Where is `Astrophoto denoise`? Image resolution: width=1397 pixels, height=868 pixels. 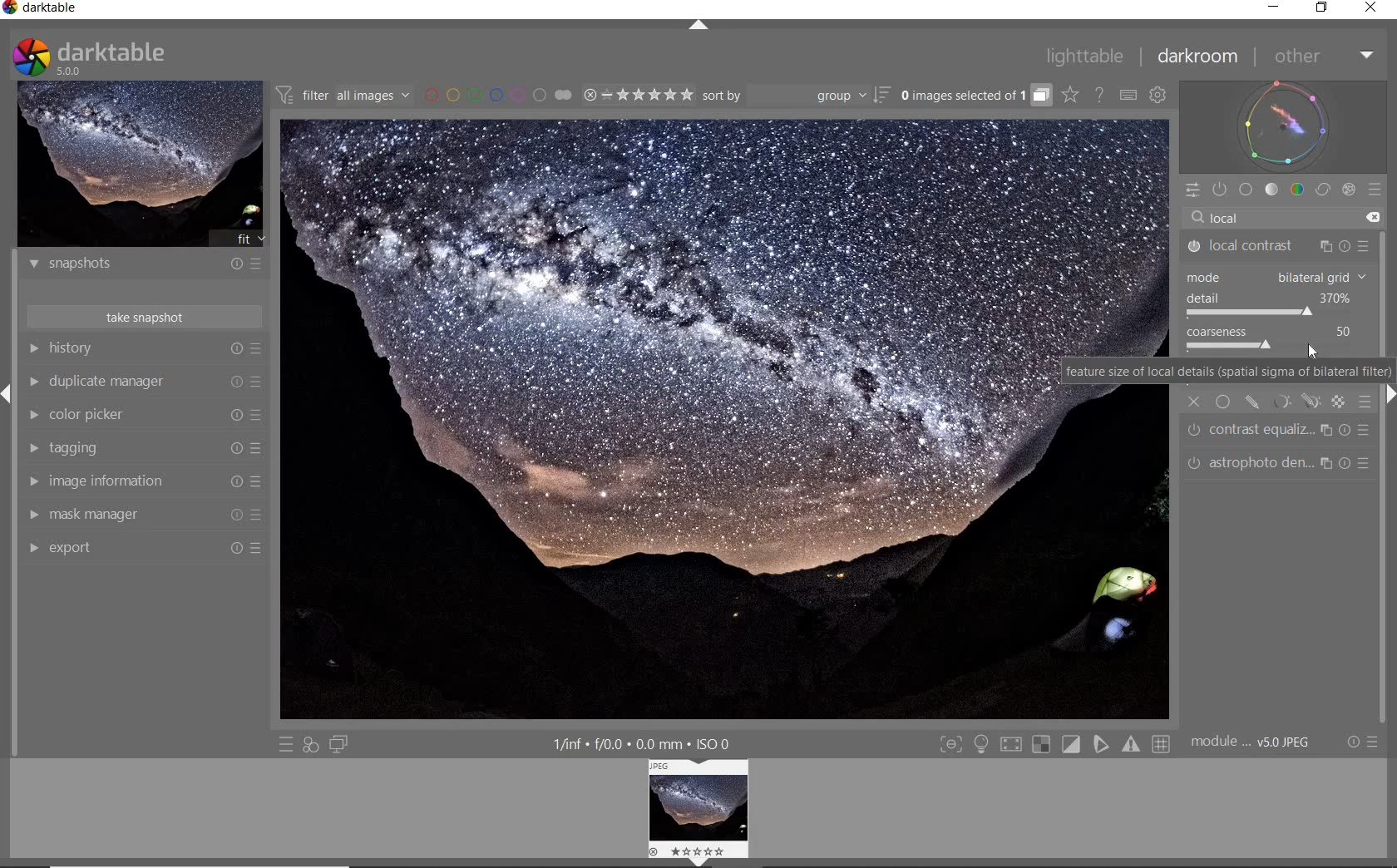
Astrophoto denoise is located at coordinates (1260, 463).